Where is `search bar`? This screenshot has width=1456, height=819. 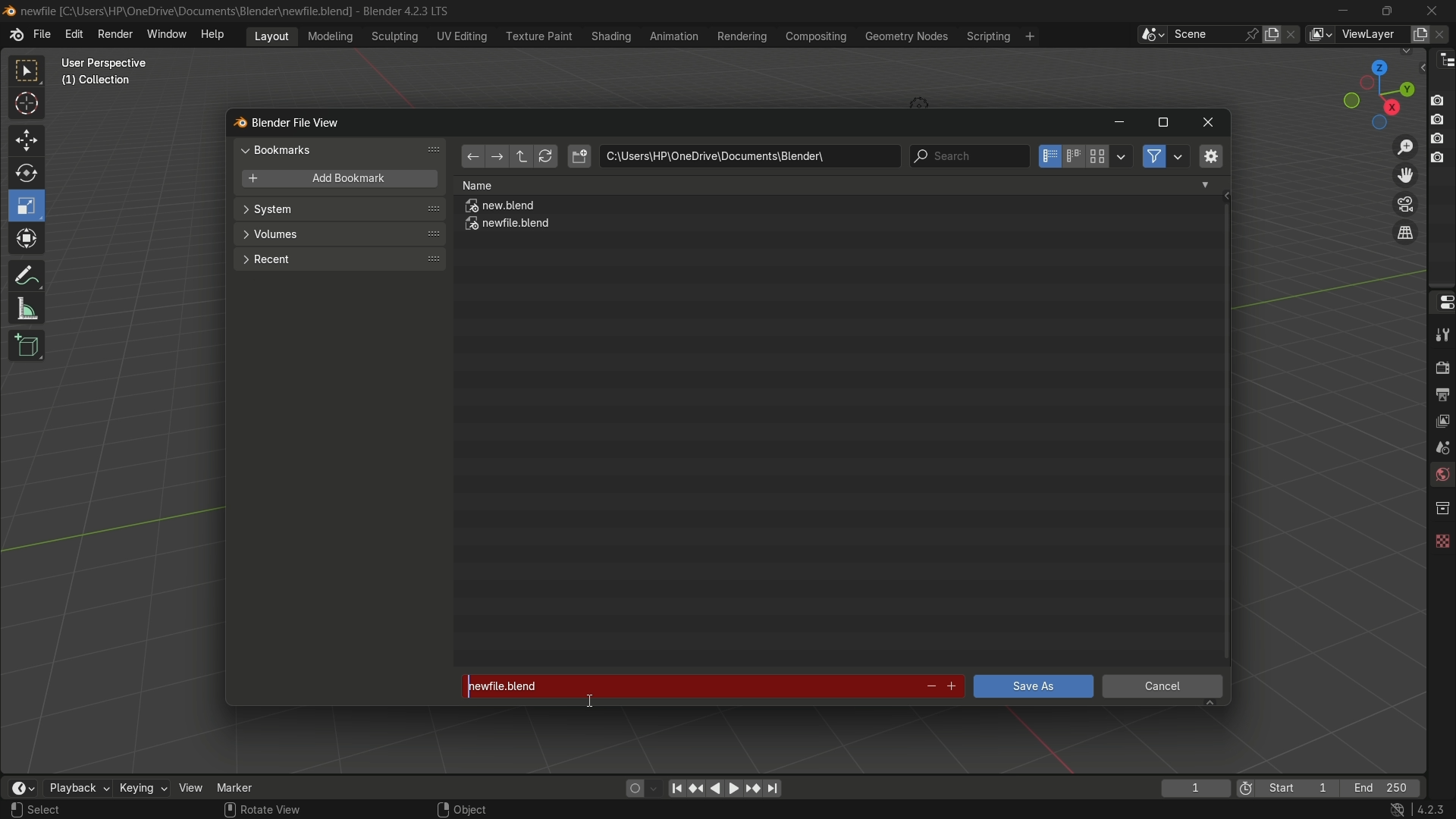 search bar is located at coordinates (968, 156).